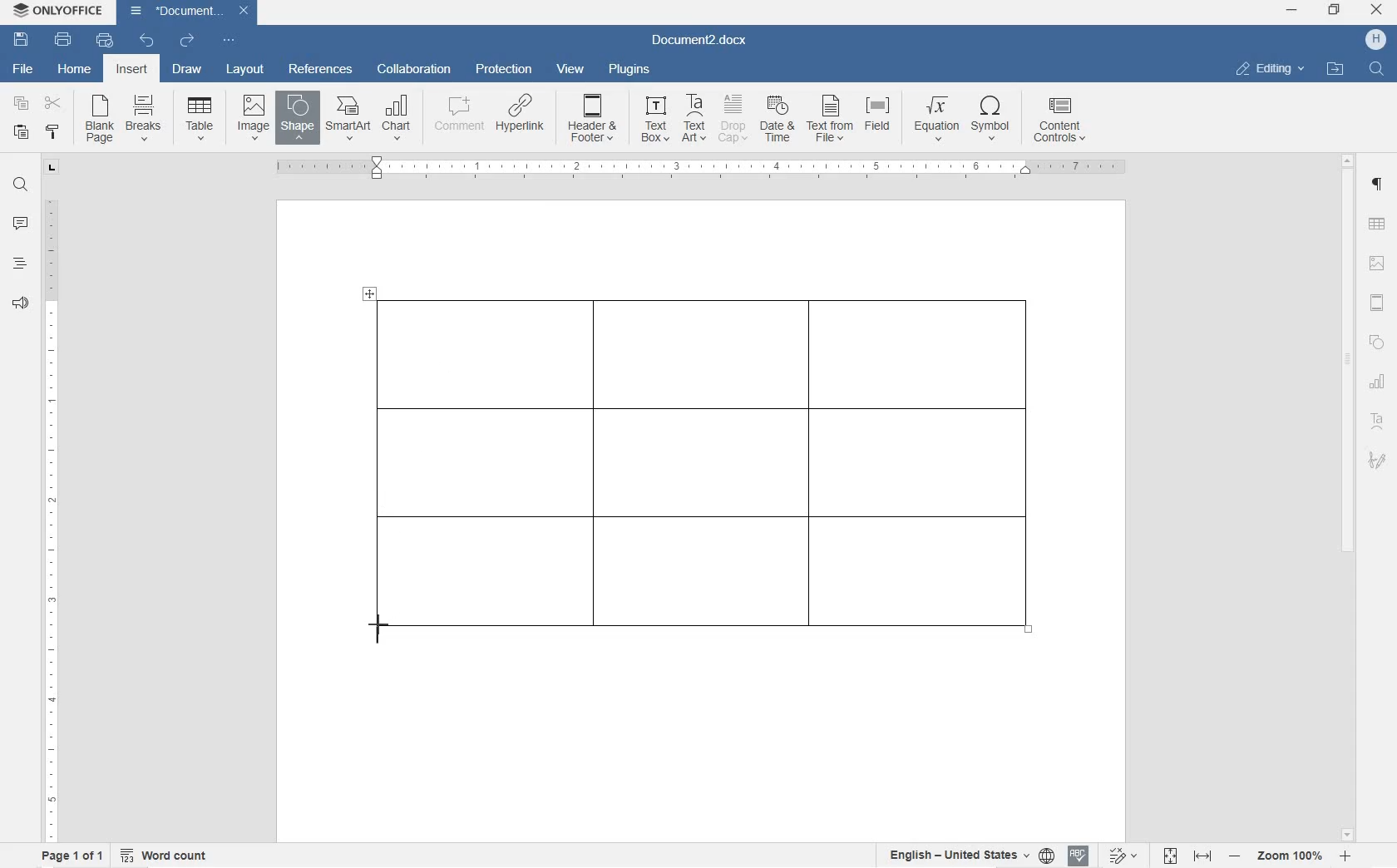 This screenshot has height=868, width=1397. Describe the element at coordinates (22, 40) in the screenshot. I see `save` at that location.